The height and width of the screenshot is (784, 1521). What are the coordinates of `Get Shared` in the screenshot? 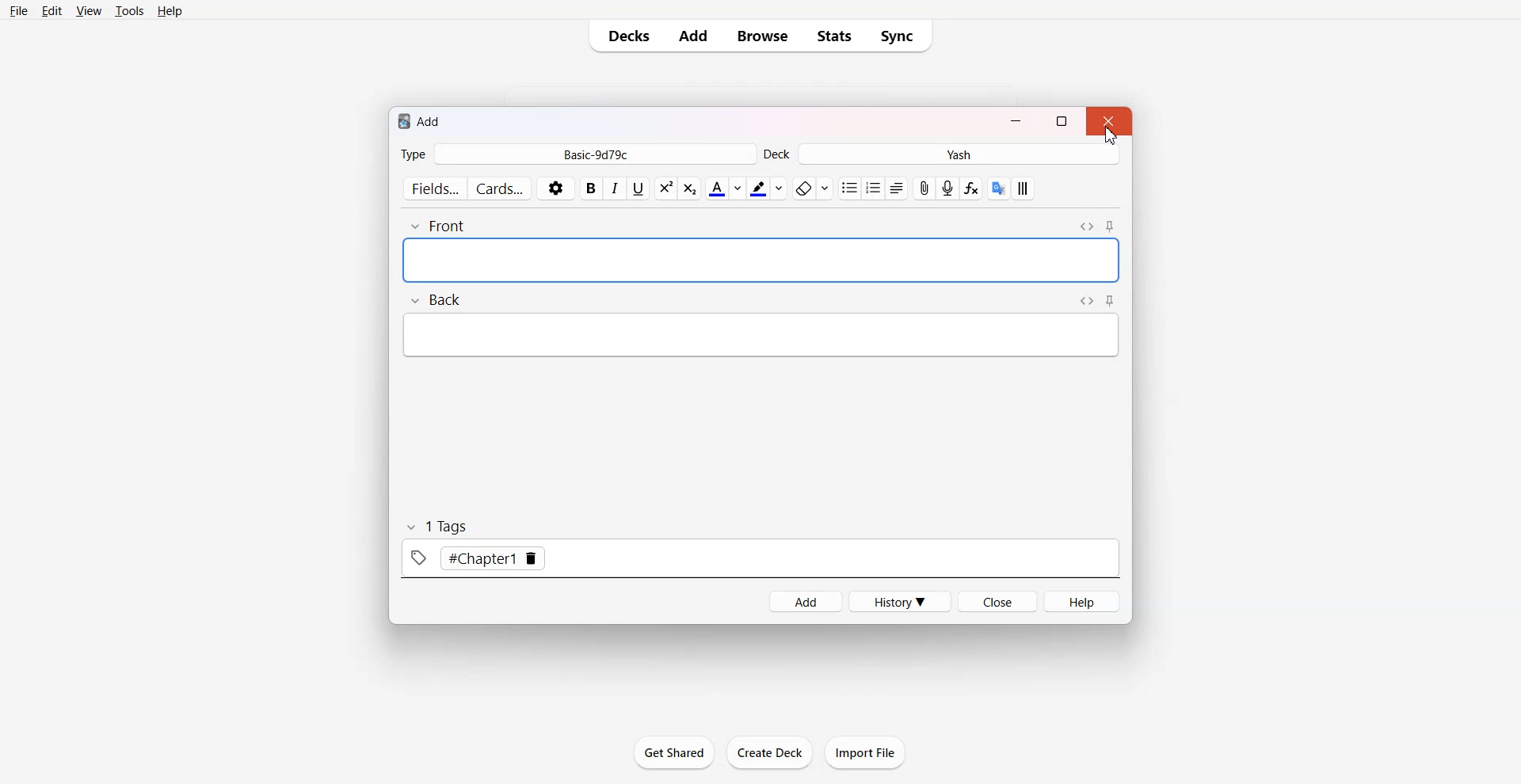 It's located at (674, 752).